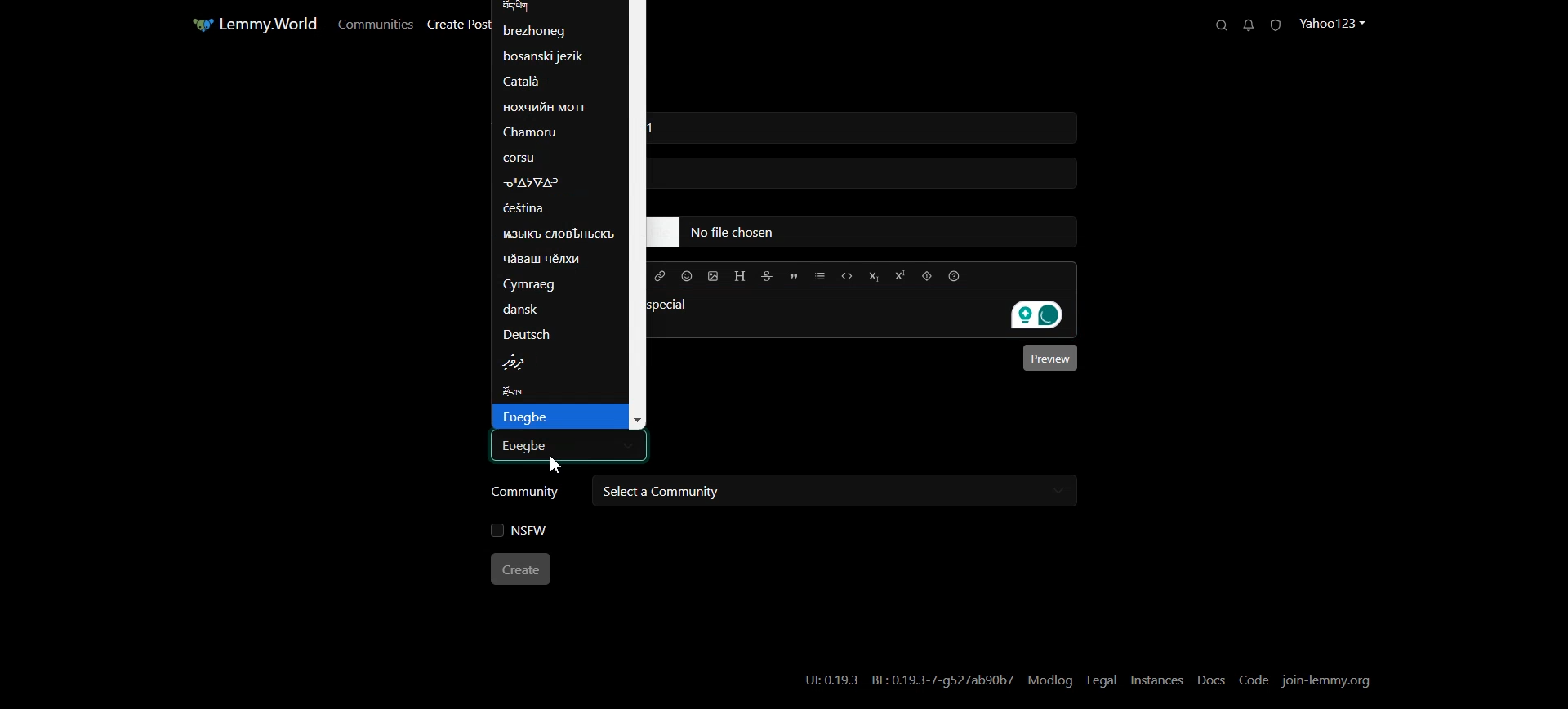  What do you see at coordinates (1337, 23) in the screenshot?
I see `Profile` at bounding box center [1337, 23].